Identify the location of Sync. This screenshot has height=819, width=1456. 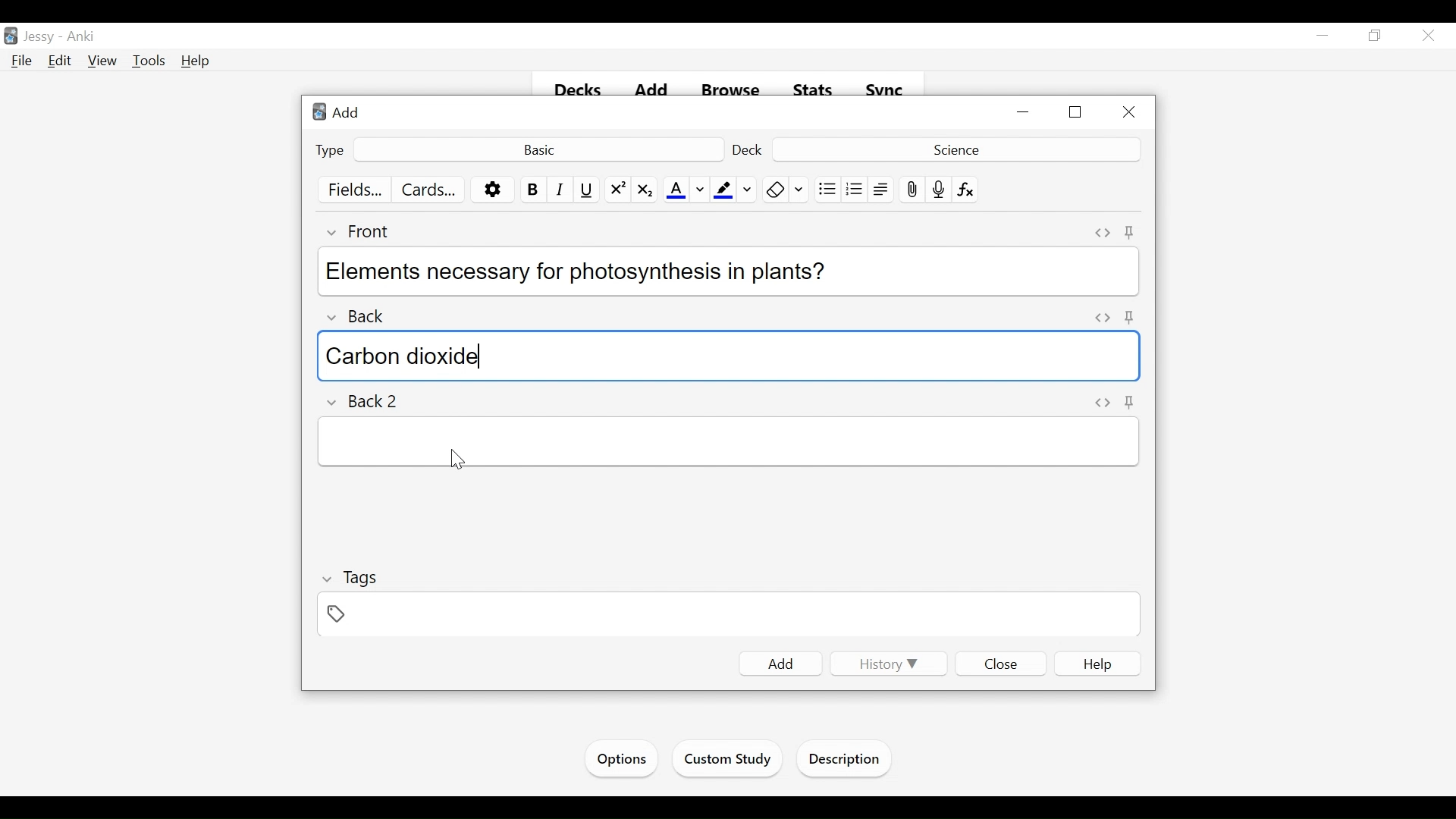
(885, 90).